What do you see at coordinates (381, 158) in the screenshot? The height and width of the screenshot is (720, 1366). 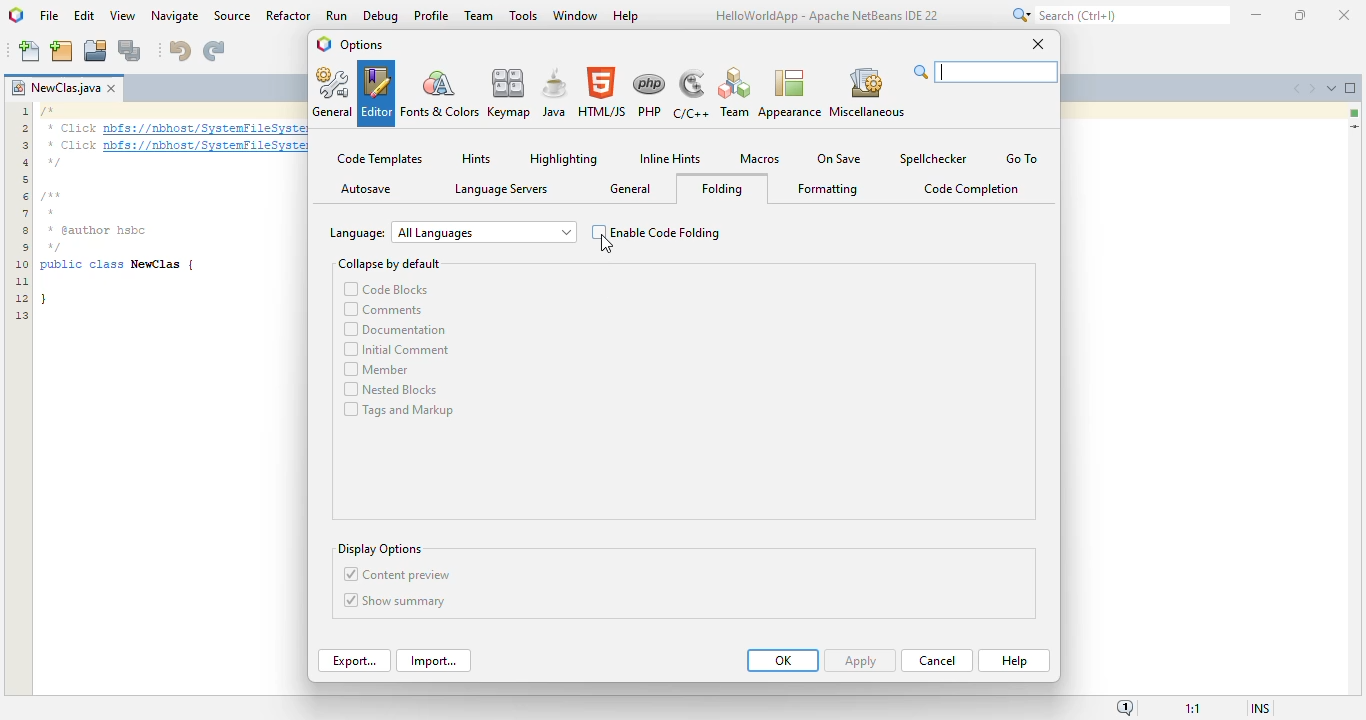 I see `code templates` at bounding box center [381, 158].